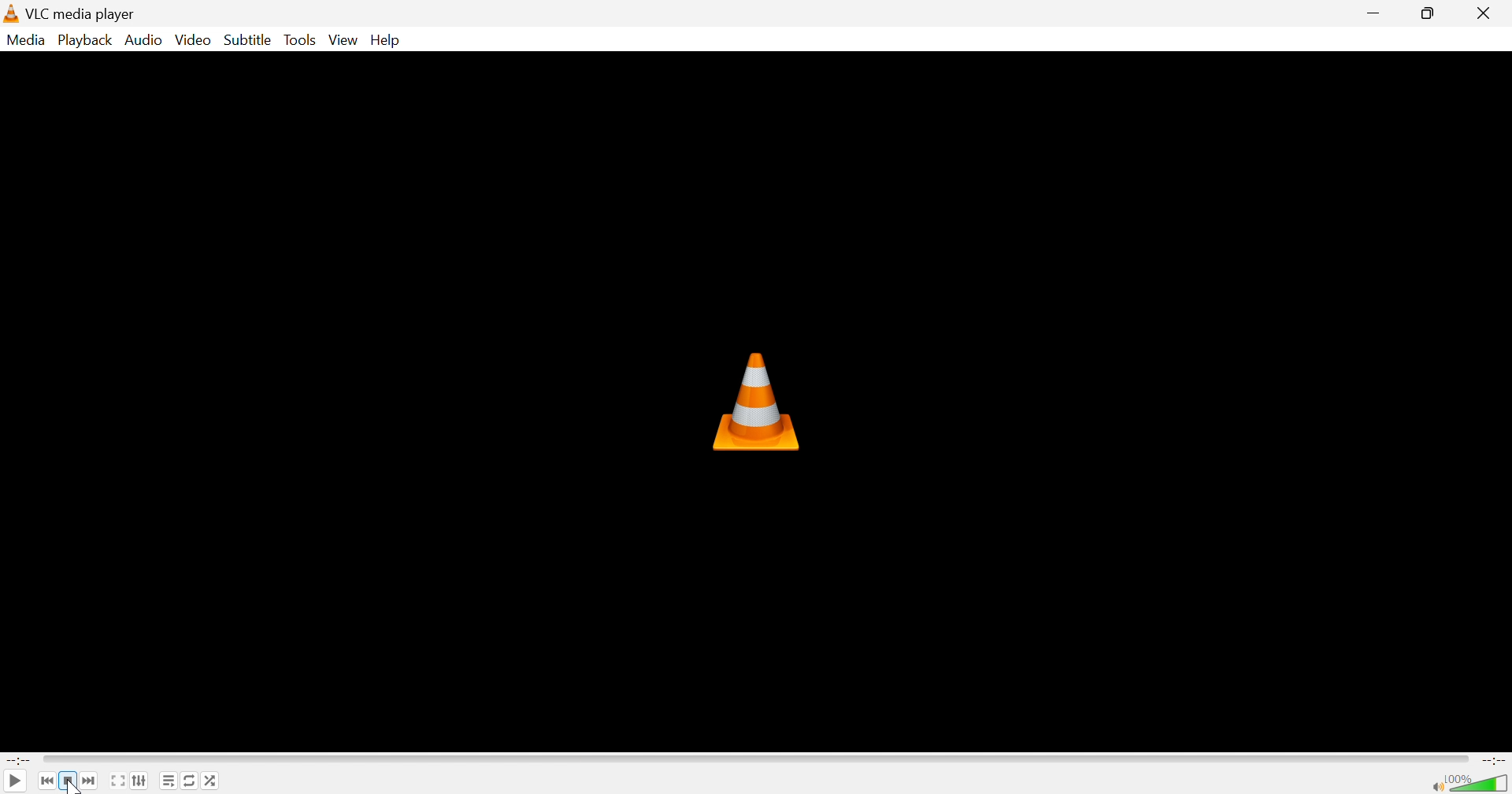 This screenshot has height=794, width=1512. I want to click on progress bar, so click(758, 759).